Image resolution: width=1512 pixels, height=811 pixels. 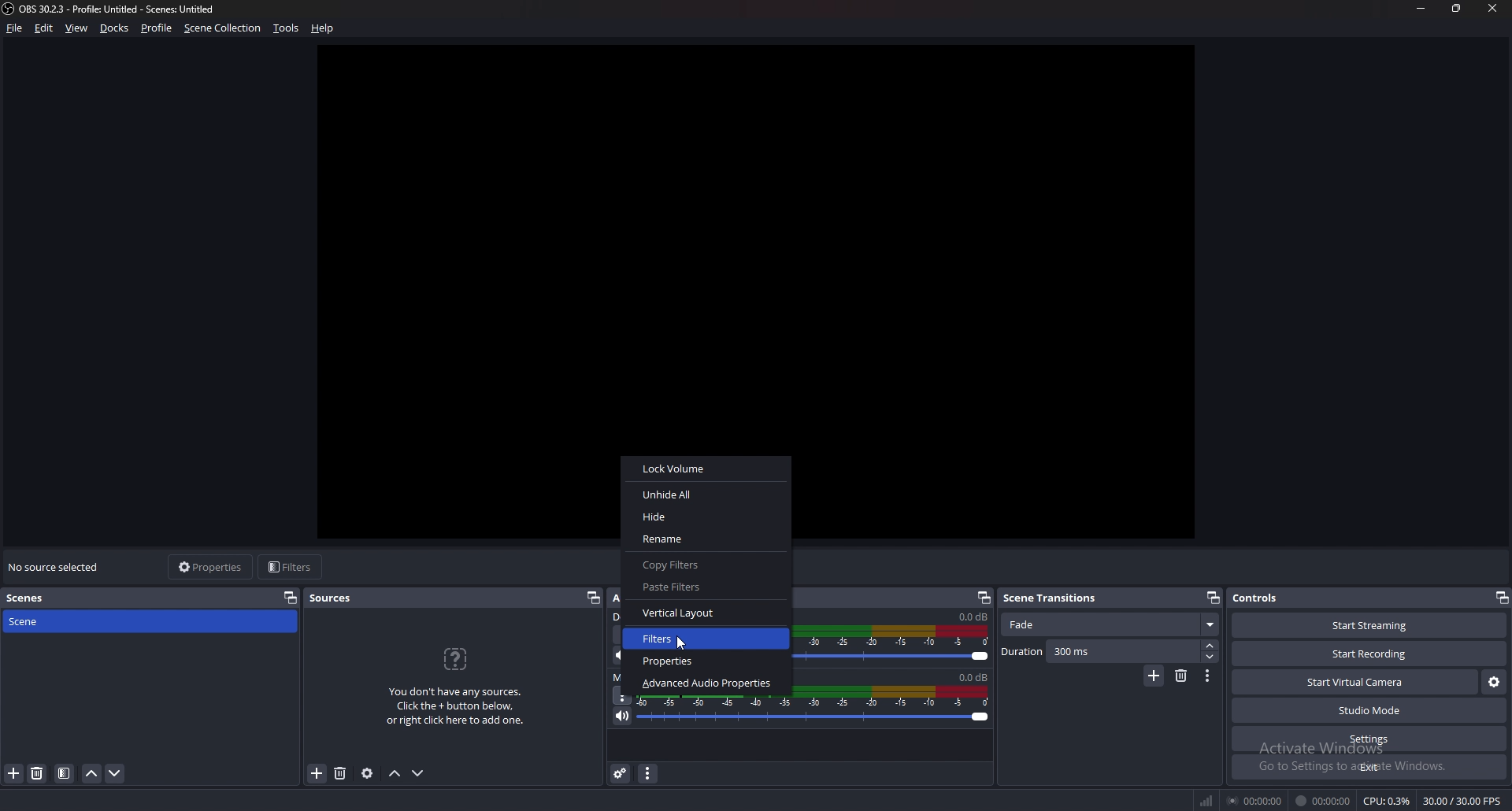 I want to click on properties, so click(x=291, y=598).